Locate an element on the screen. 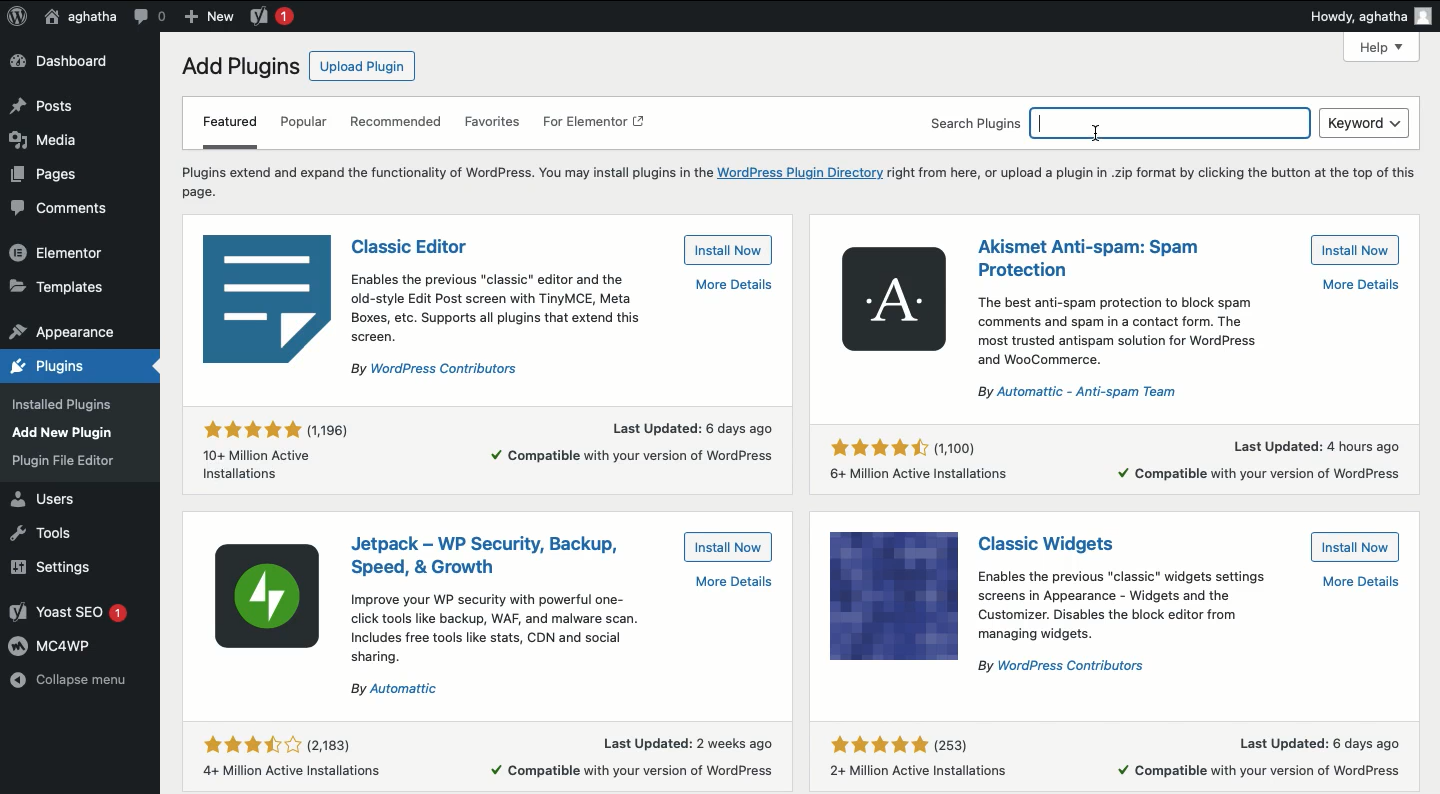 The width and height of the screenshot is (1440, 794). Icon is located at coordinates (894, 595).